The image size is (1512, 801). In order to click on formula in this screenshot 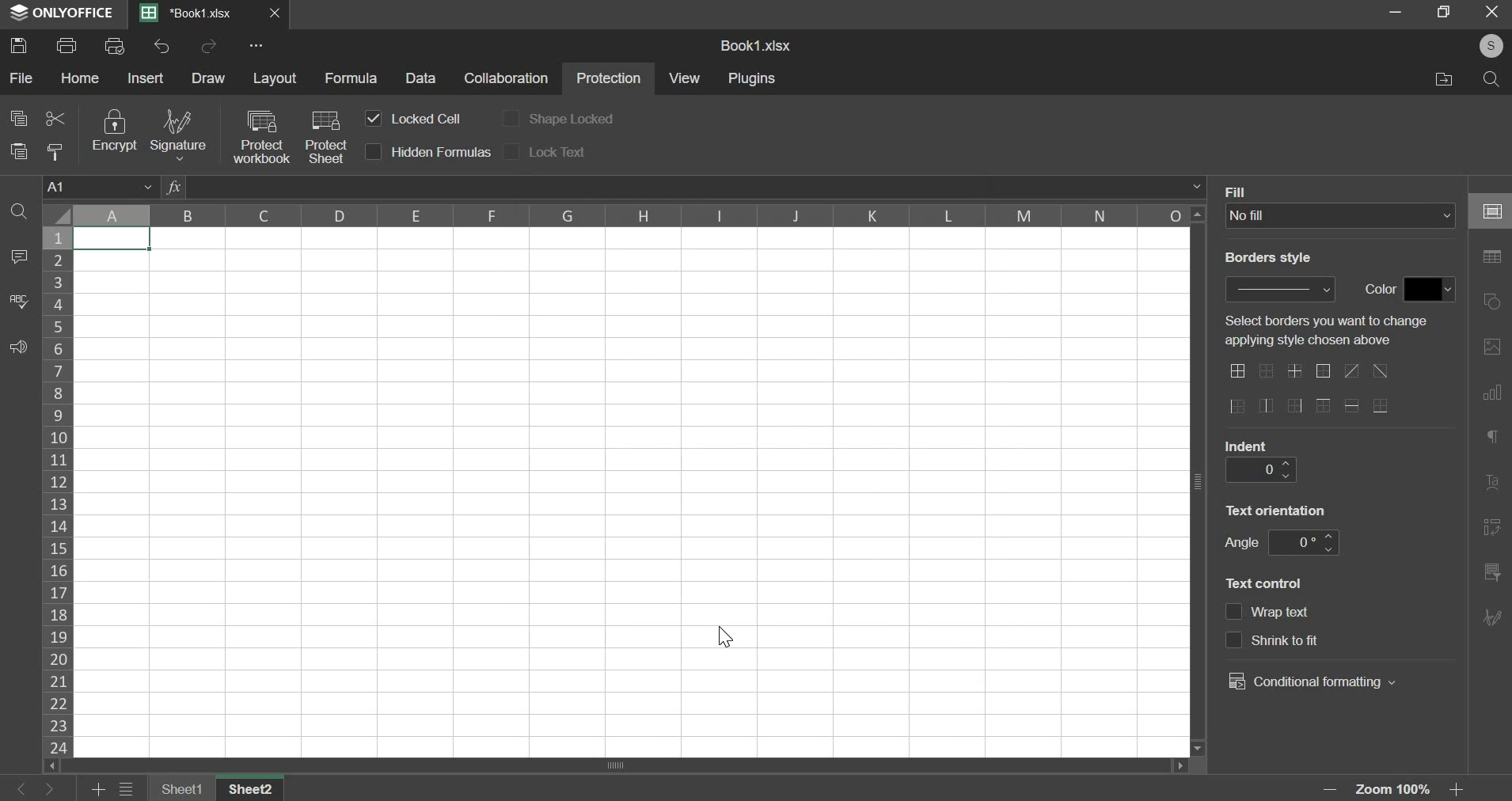, I will do `click(351, 78)`.